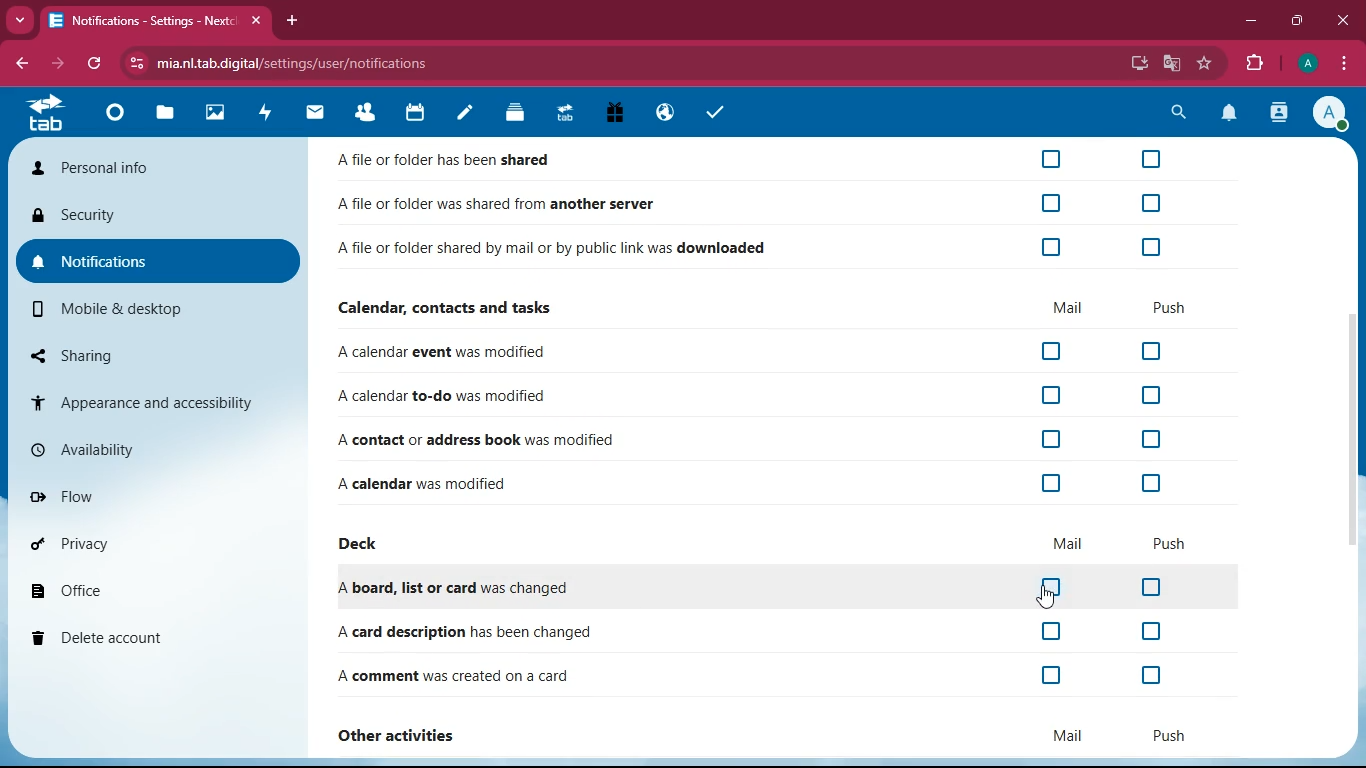 The image size is (1366, 768). Describe the element at coordinates (494, 199) in the screenshot. I see `Afile or folder was shared from another server` at that location.